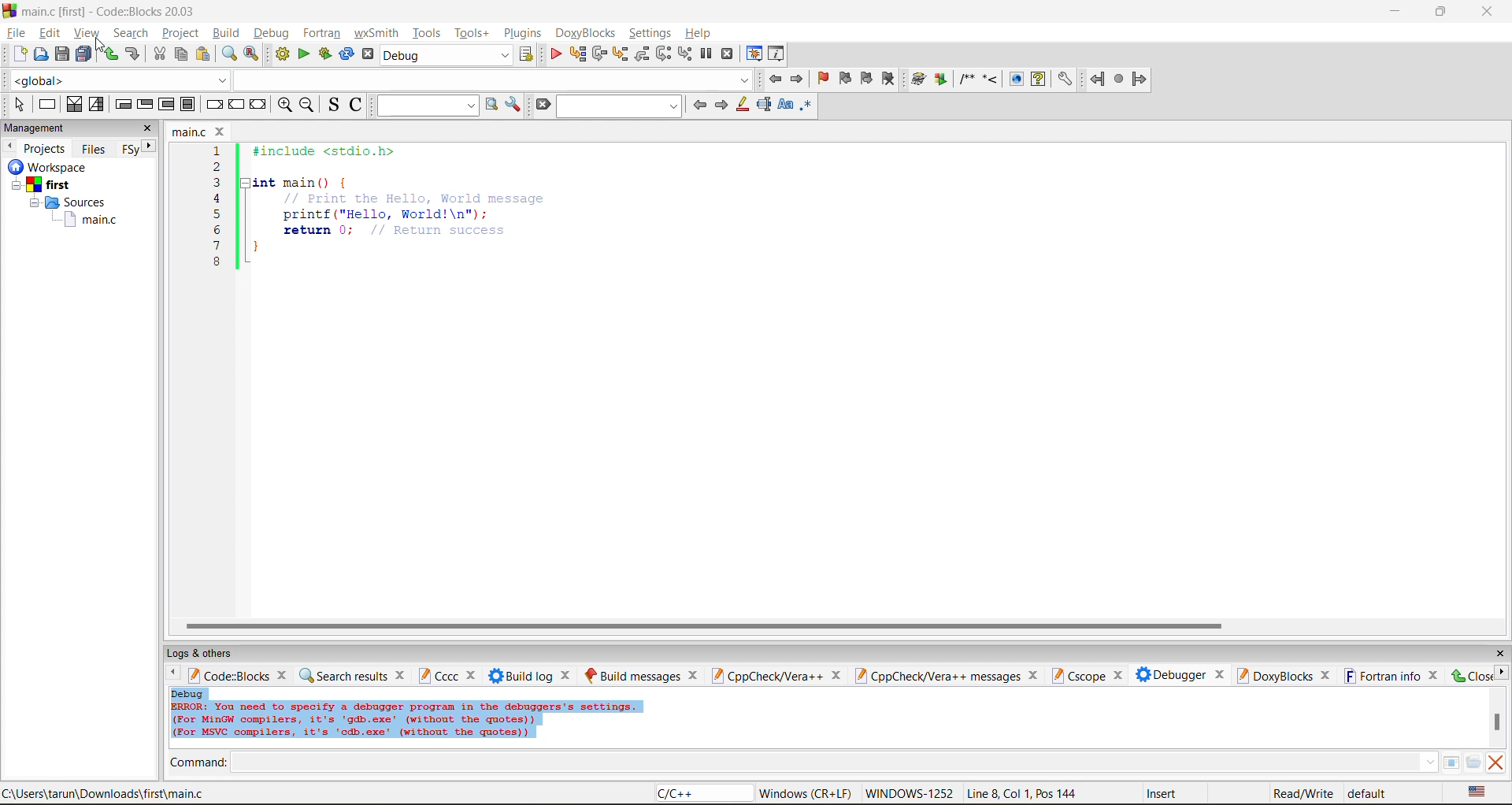 This screenshot has width=1512, height=805. I want to click on HTML help, so click(1040, 80).